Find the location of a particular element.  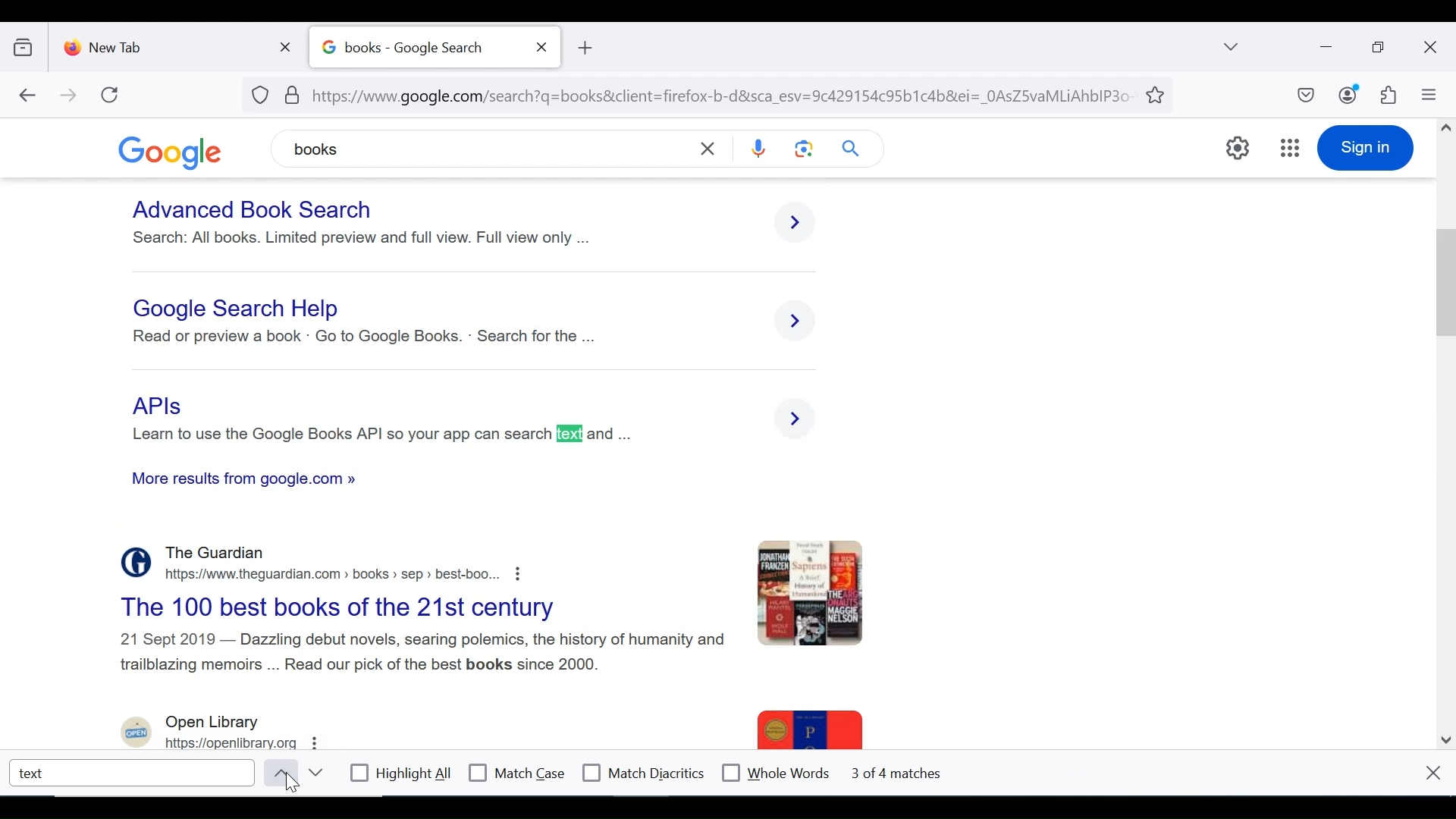

bookmark this tab is located at coordinates (1158, 93).